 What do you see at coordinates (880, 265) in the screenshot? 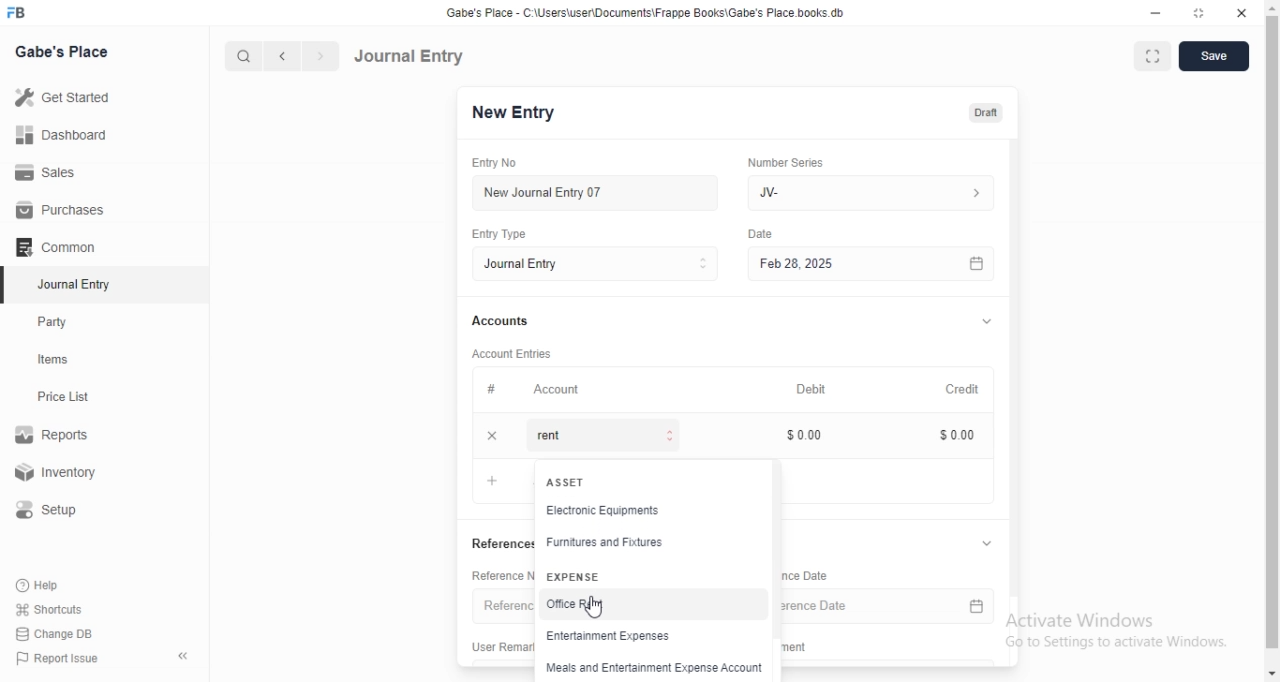
I see `Feb 28, 2025` at bounding box center [880, 265].